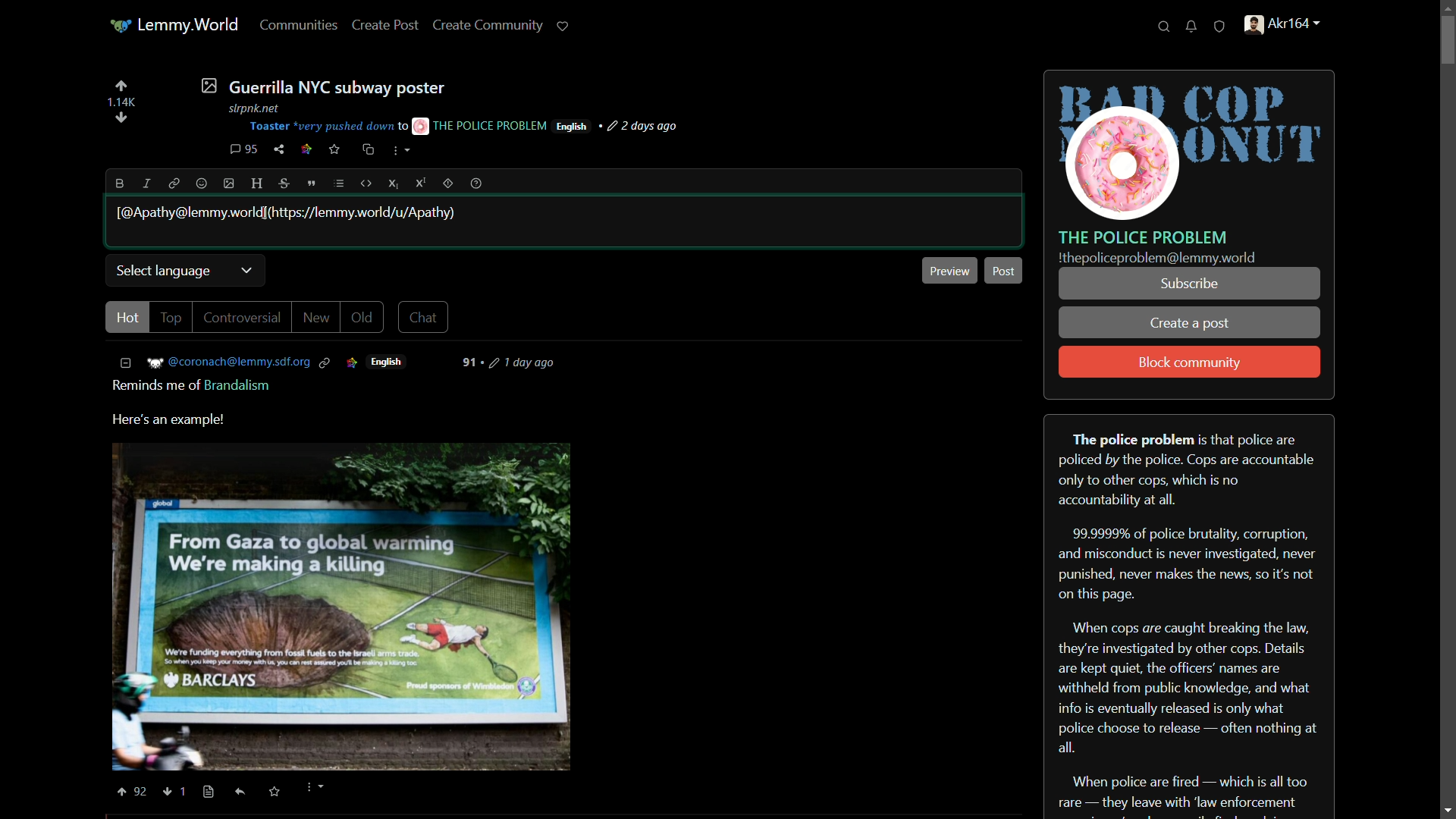 The height and width of the screenshot is (819, 1456). I want to click on ICON, so click(351, 362).